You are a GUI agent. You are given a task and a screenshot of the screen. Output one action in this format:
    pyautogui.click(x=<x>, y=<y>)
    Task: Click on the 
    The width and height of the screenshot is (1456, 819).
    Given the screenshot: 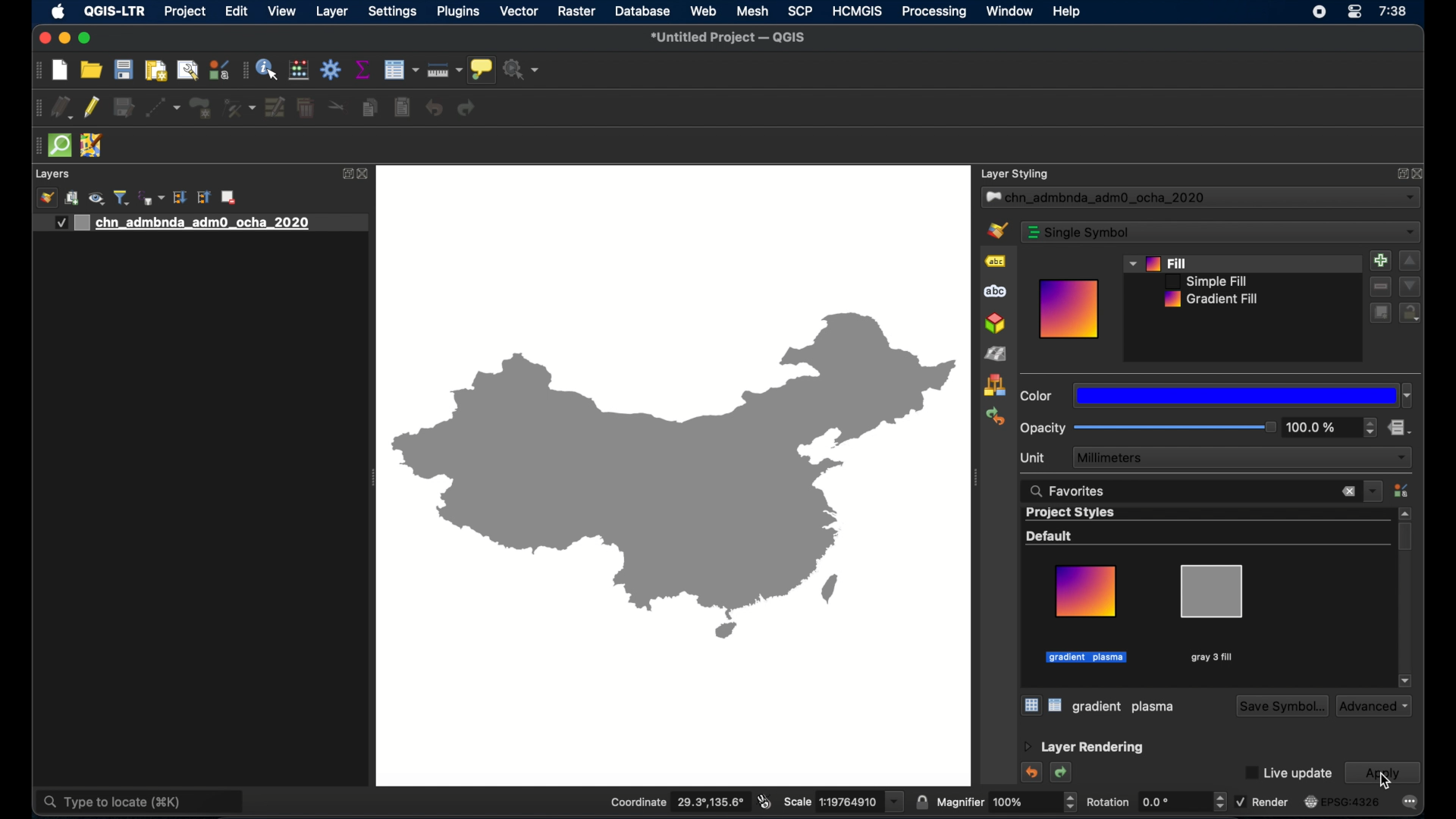 What is the action you would take?
    pyautogui.click(x=675, y=802)
    